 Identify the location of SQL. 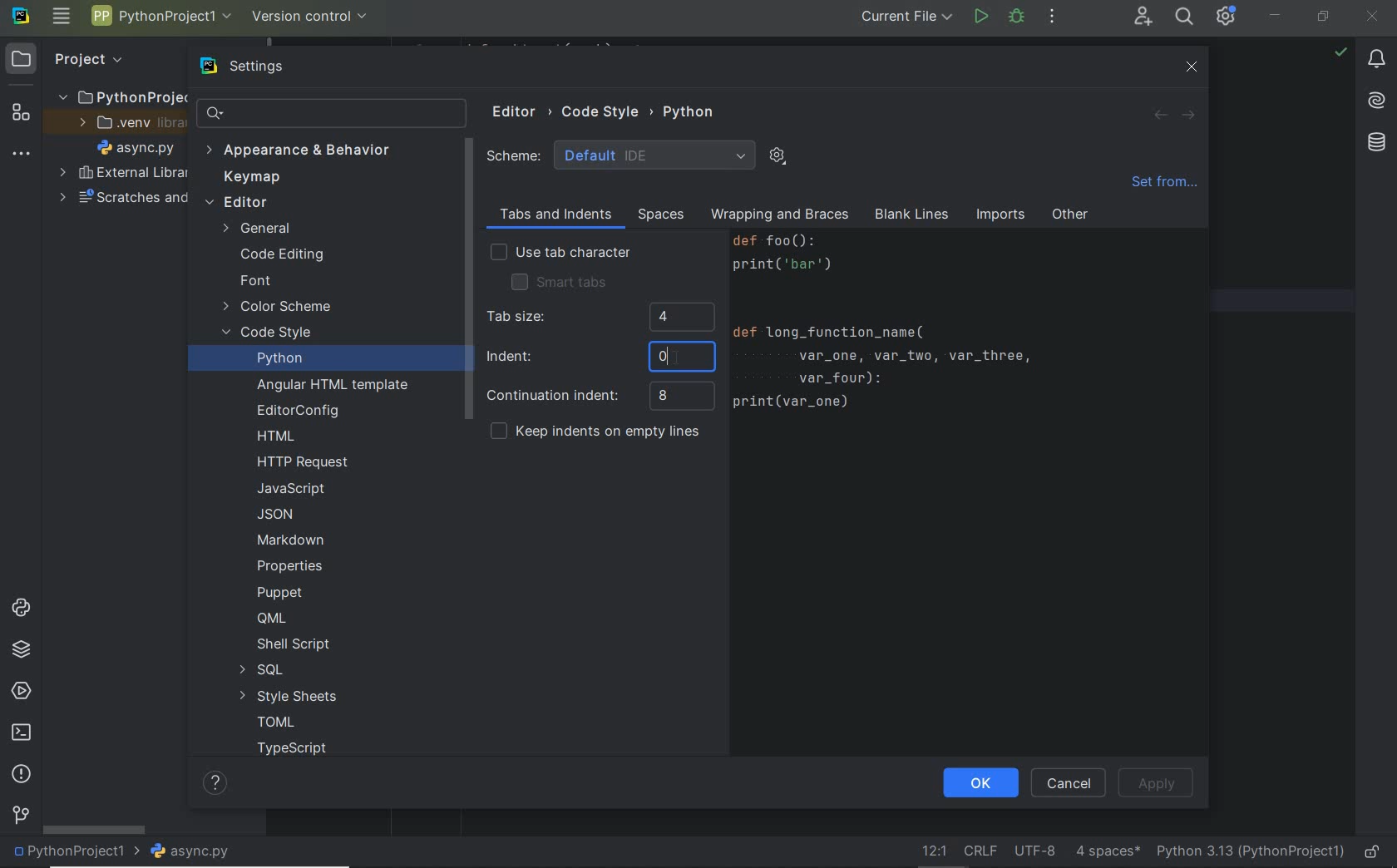
(259, 670).